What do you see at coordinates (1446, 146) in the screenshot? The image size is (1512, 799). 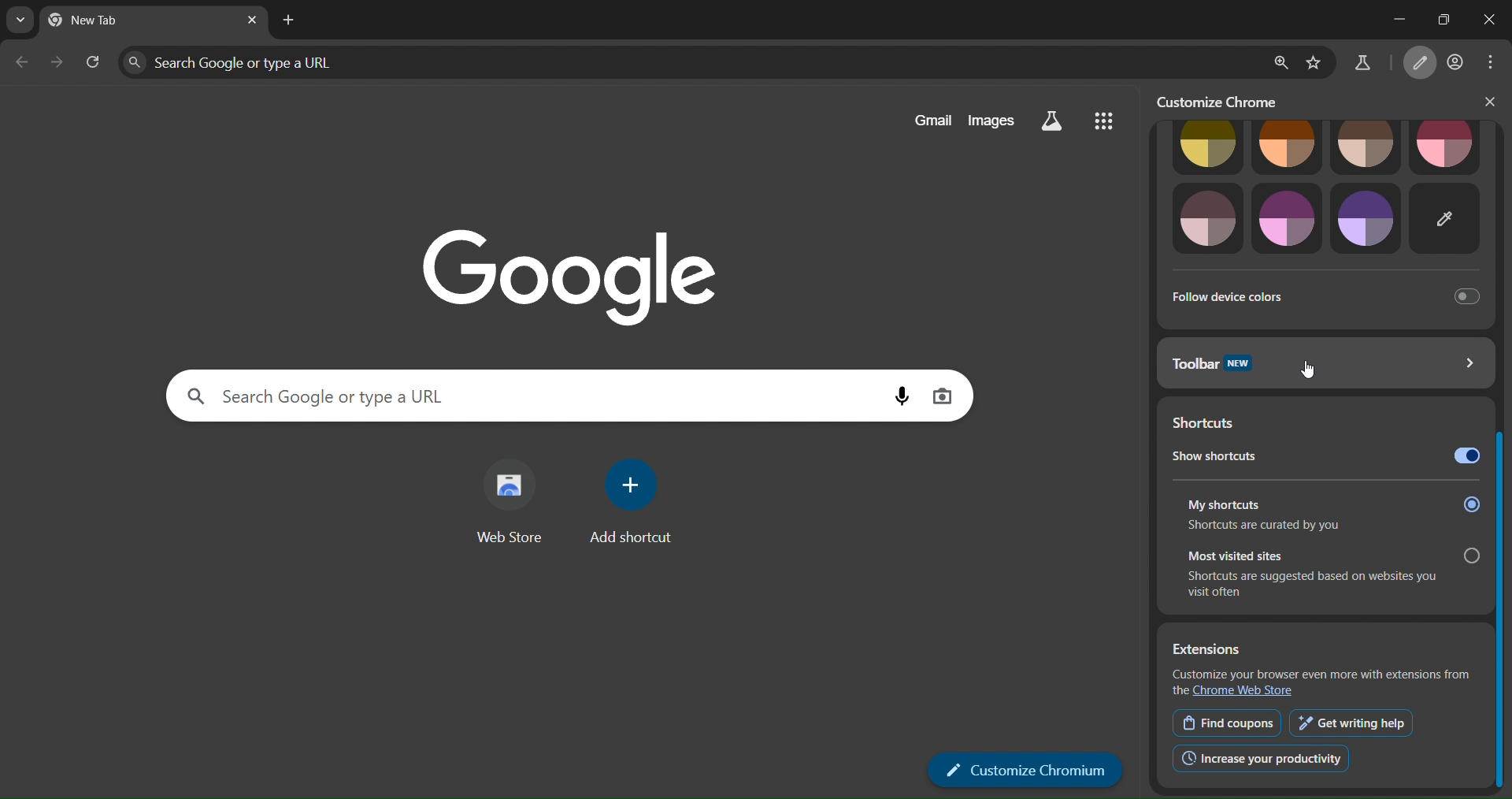 I see `theme` at bounding box center [1446, 146].